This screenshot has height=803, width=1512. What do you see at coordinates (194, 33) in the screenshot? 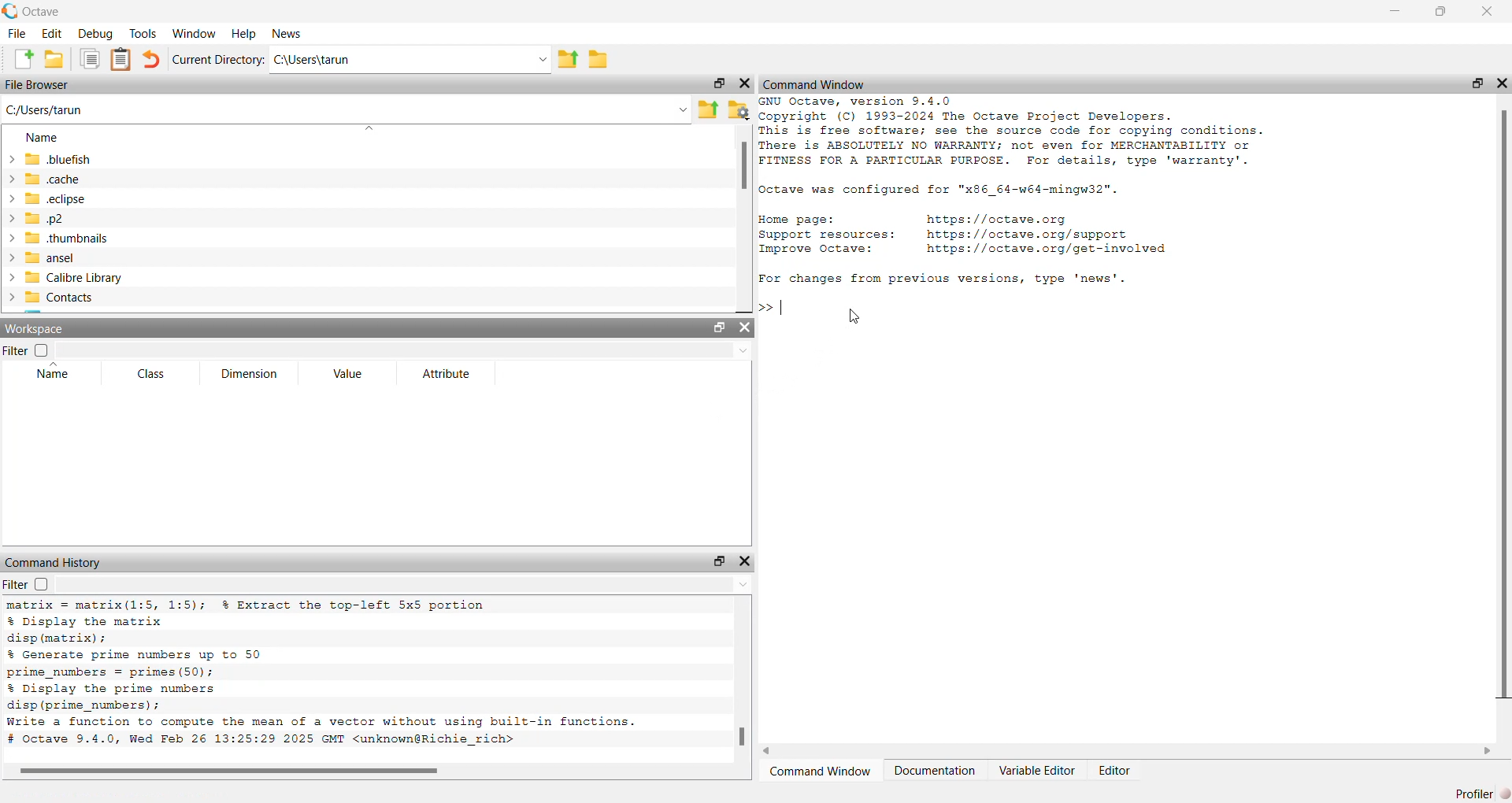
I see `window` at bounding box center [194, 33].